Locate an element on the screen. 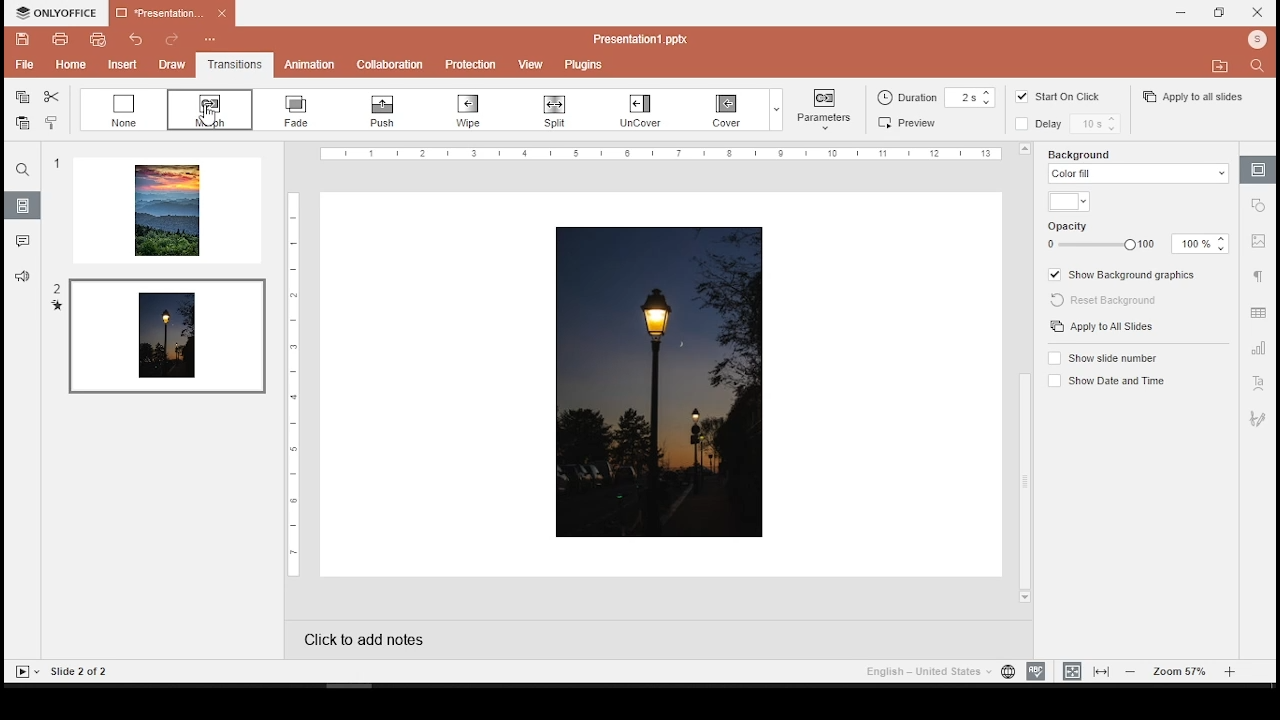  reset background is located at coordinates (1111, 301).